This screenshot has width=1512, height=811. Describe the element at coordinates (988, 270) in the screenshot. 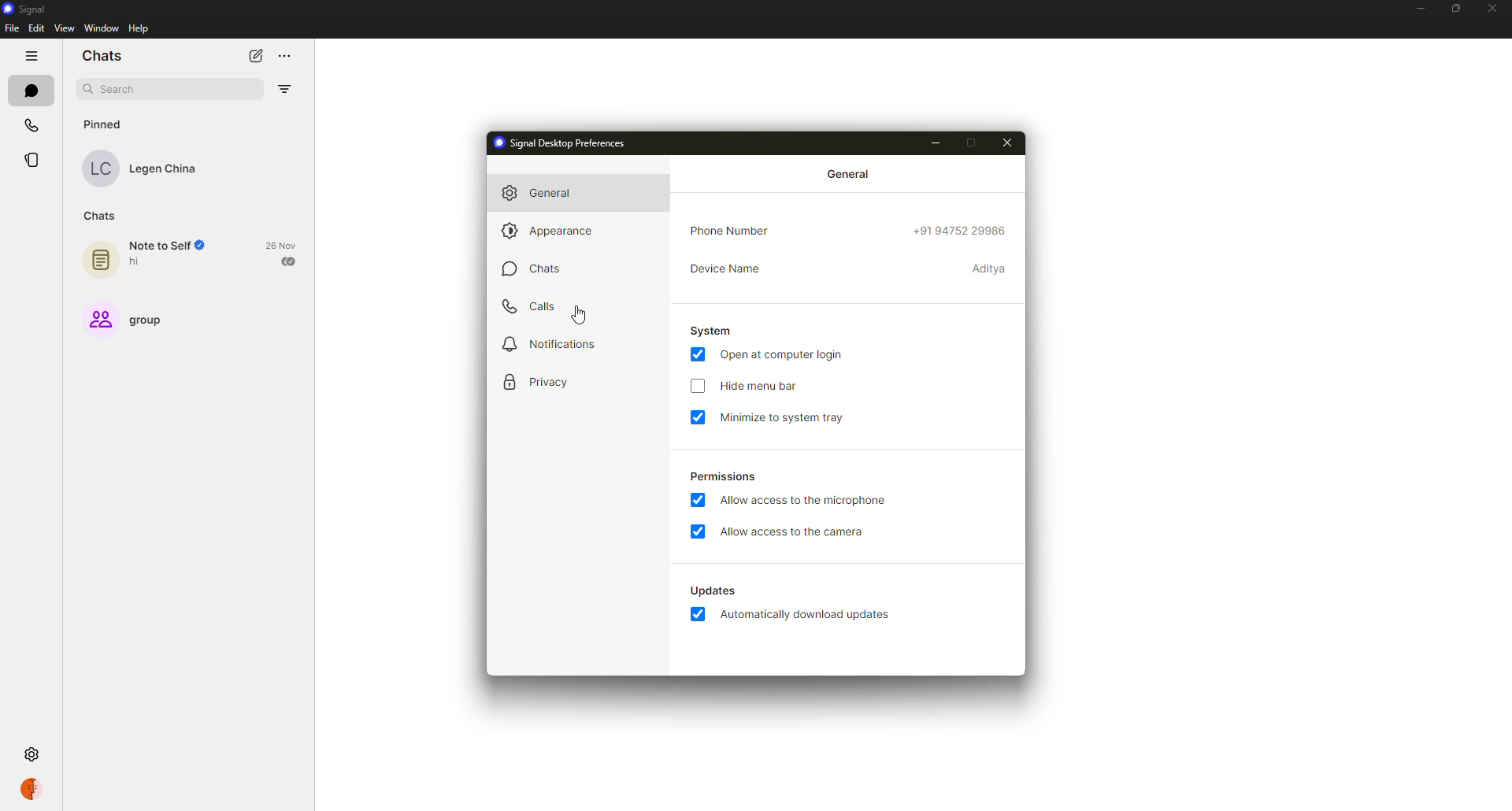

I see `Aditya` at that location.